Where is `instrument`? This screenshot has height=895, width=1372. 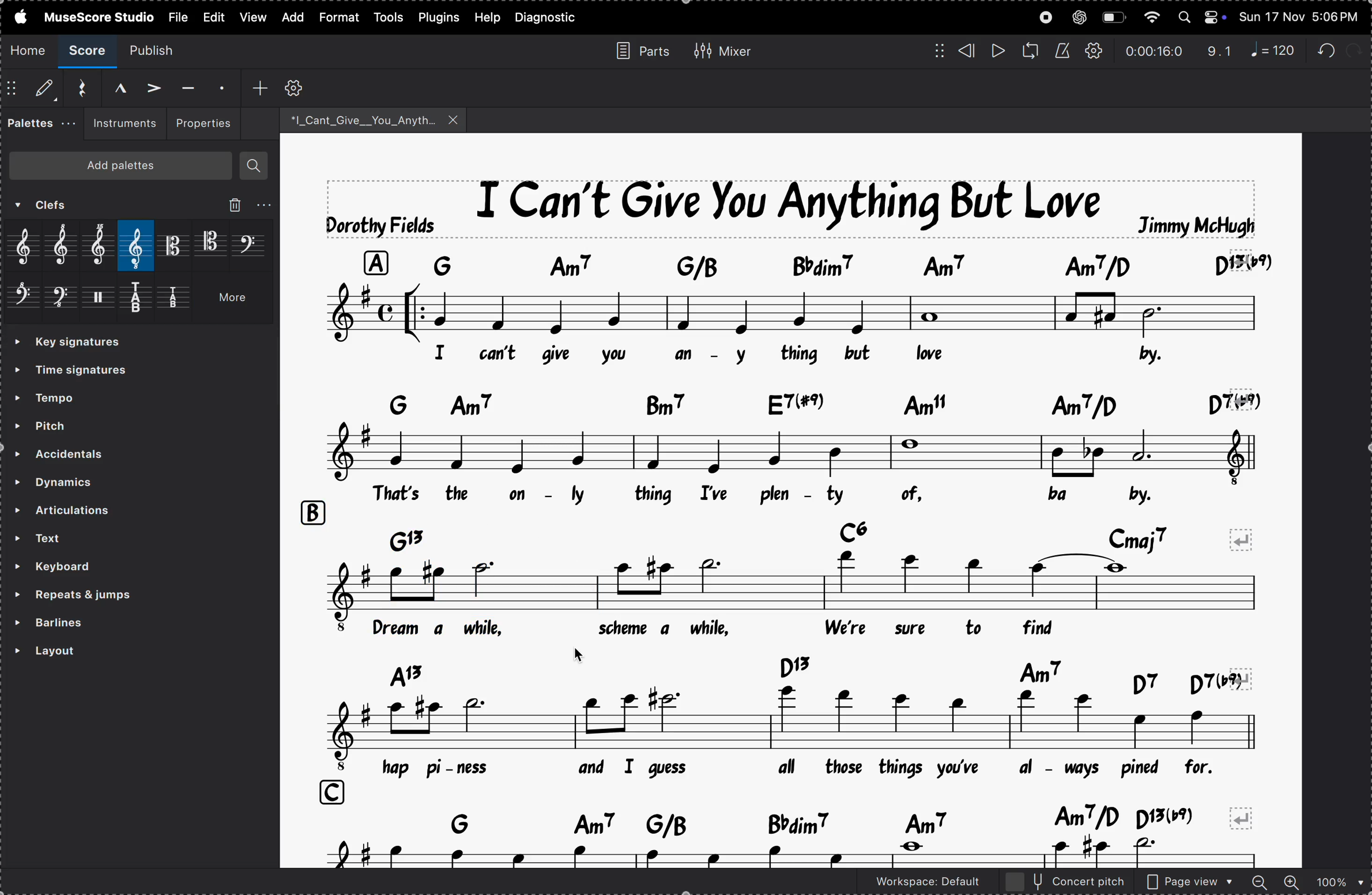
instrument is located at coordinates (120, 124).